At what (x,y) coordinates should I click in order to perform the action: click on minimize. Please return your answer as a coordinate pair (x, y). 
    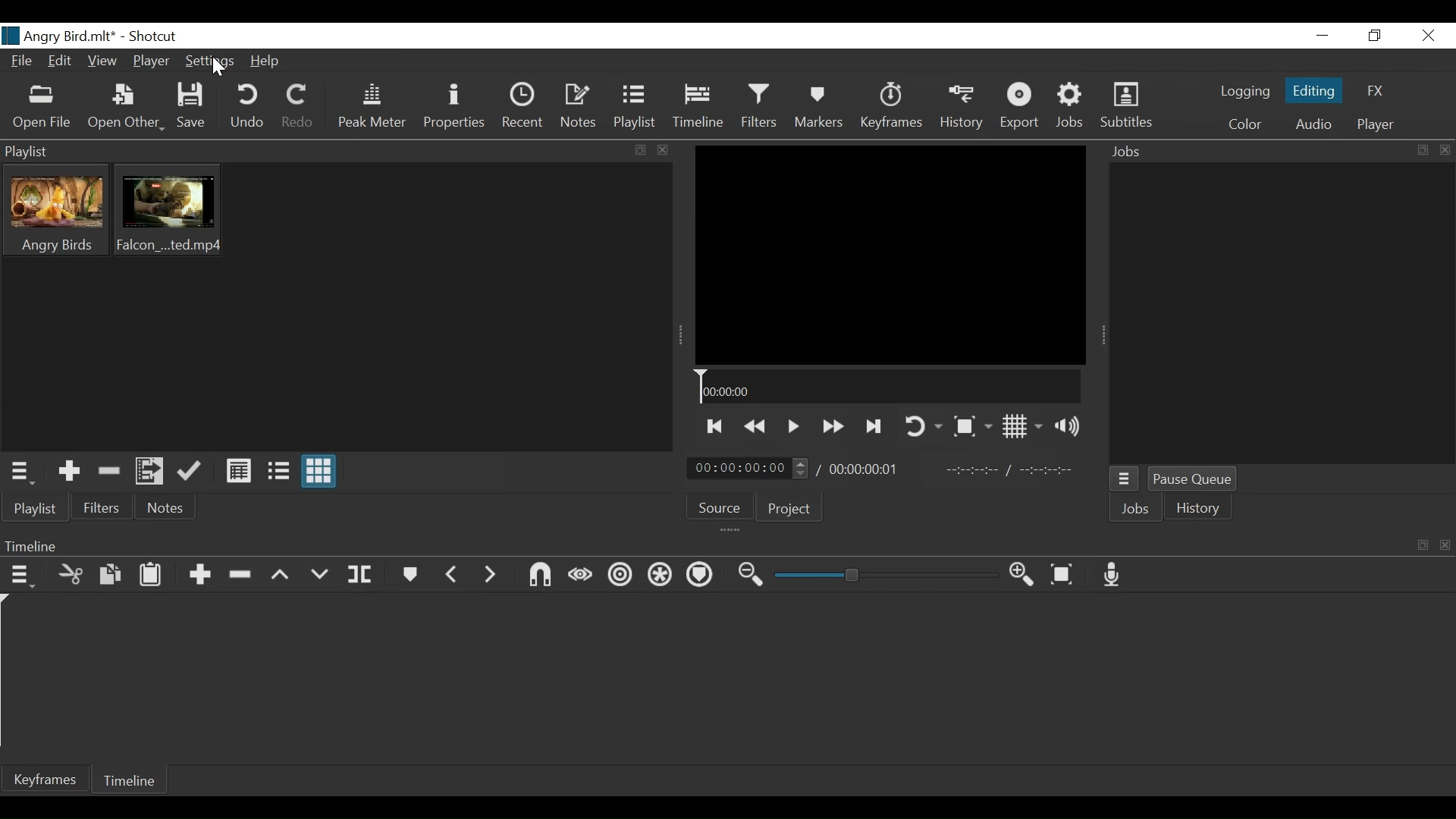
    Looking at the image, I should click on (1321, 36).